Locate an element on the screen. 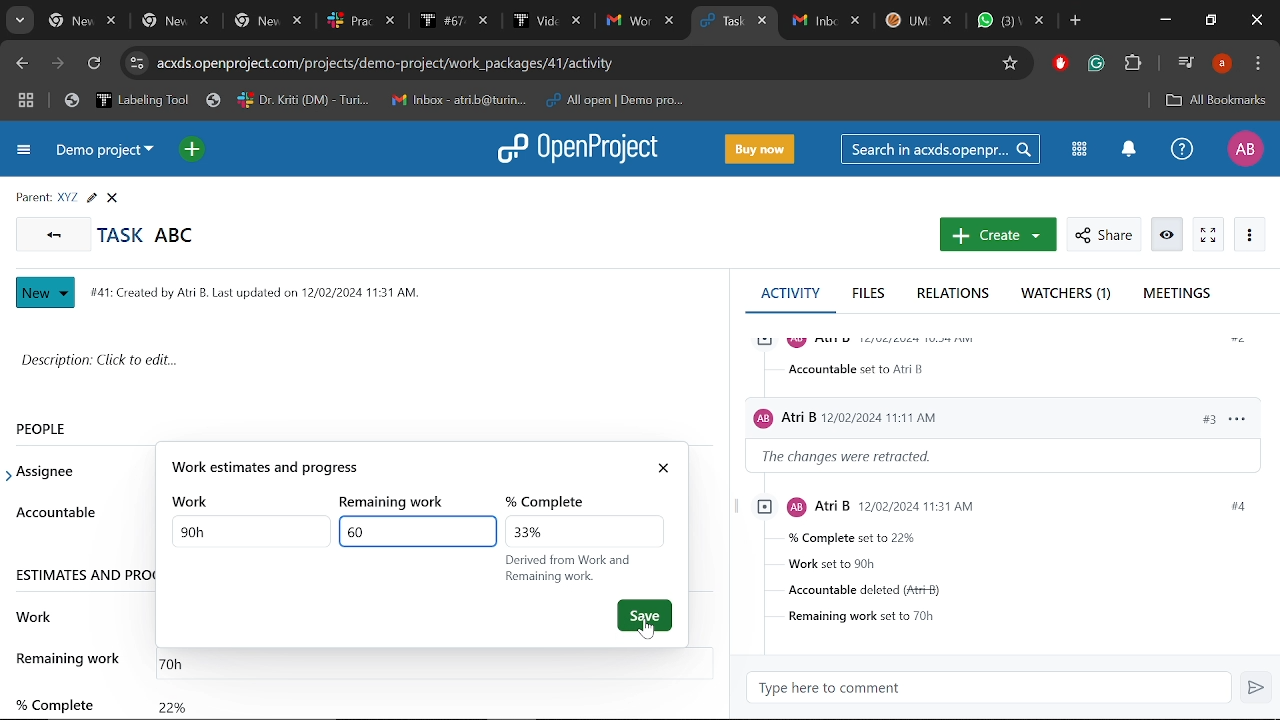 This screenshot has width=1280, height=720. accountable is located at coordinates (860, 369).